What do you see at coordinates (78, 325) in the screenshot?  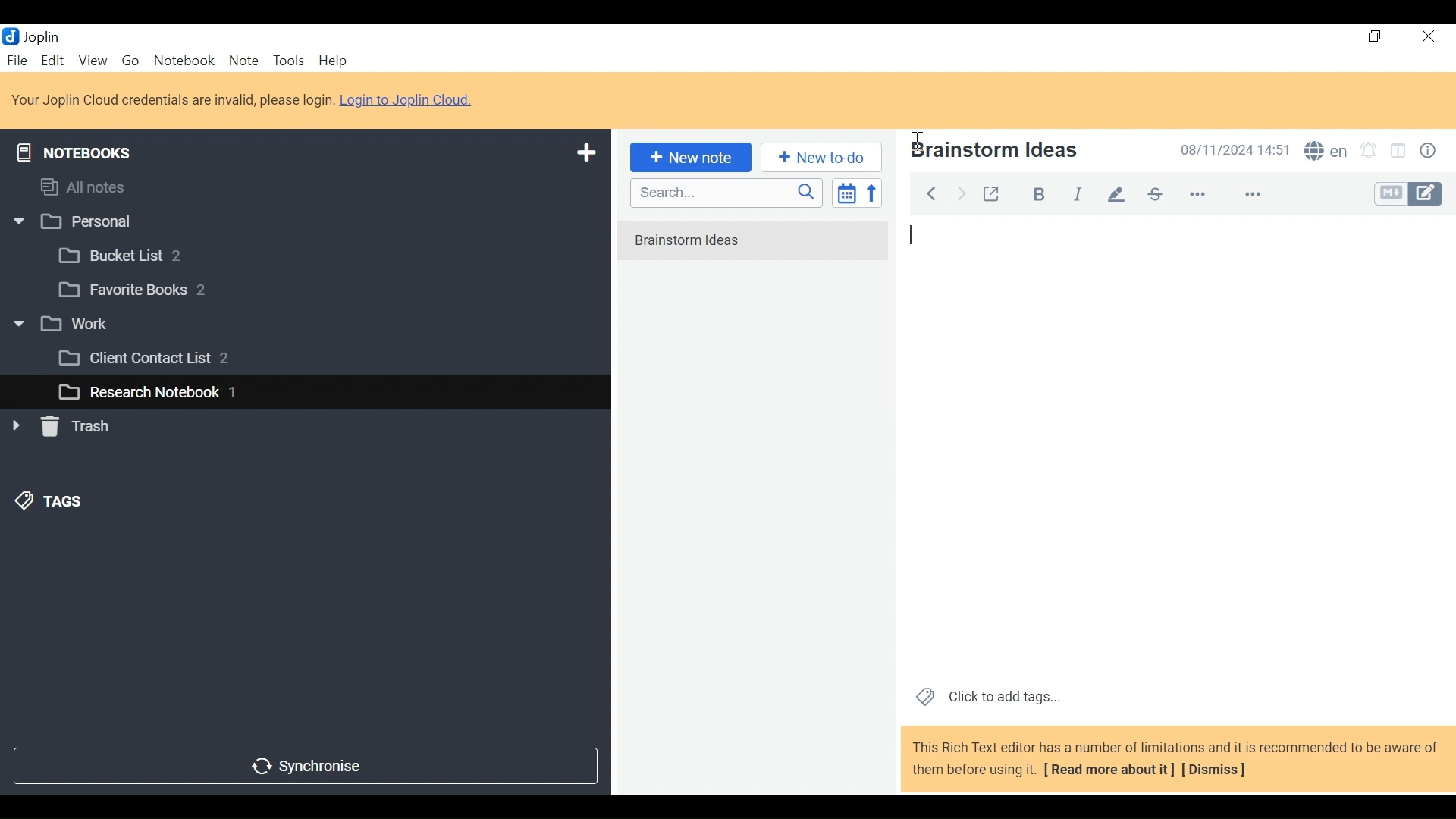 I see `v [3 work` at bounding box center [78, 325].